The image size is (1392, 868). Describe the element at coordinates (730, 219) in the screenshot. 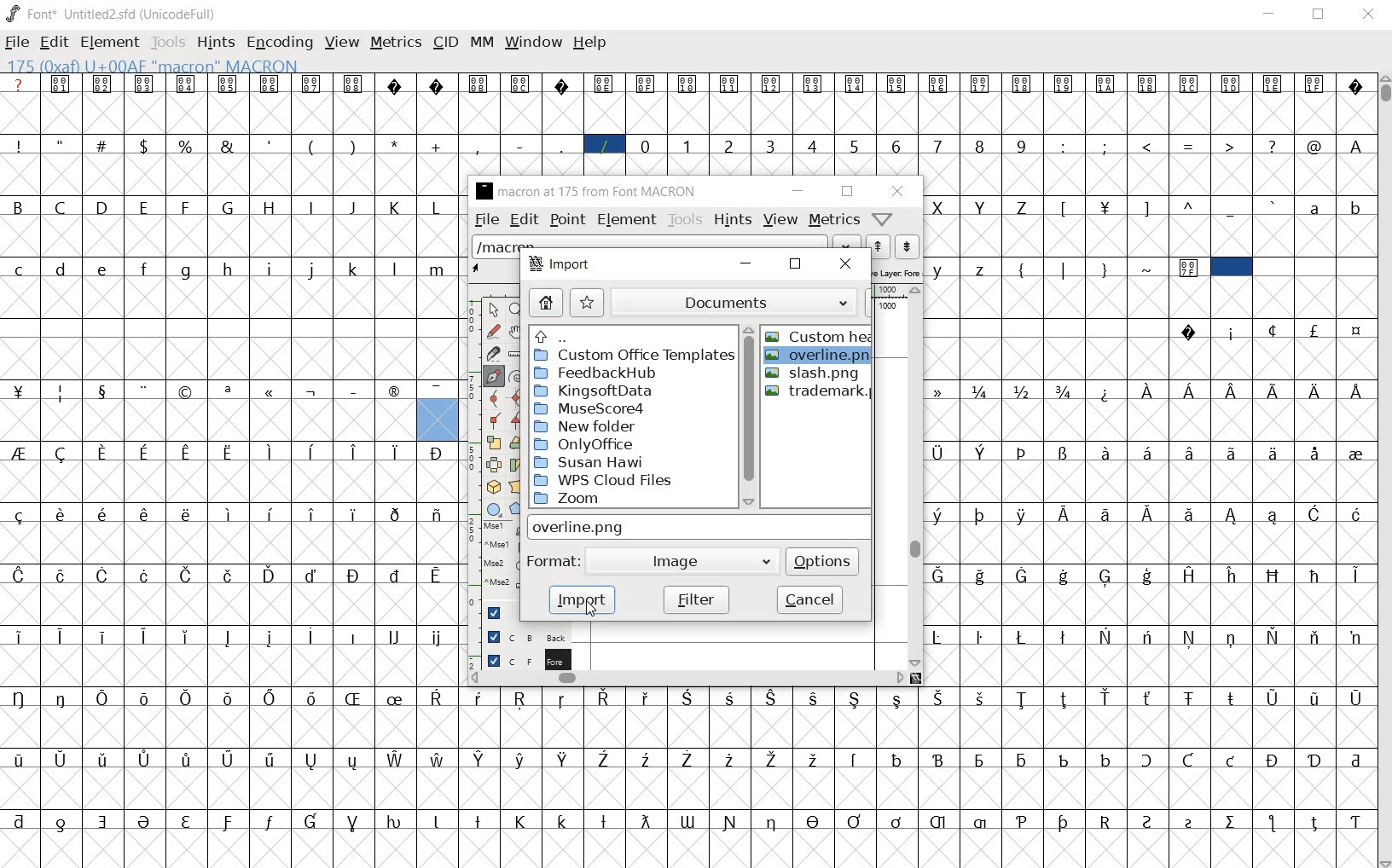

I see `hints` at that location.